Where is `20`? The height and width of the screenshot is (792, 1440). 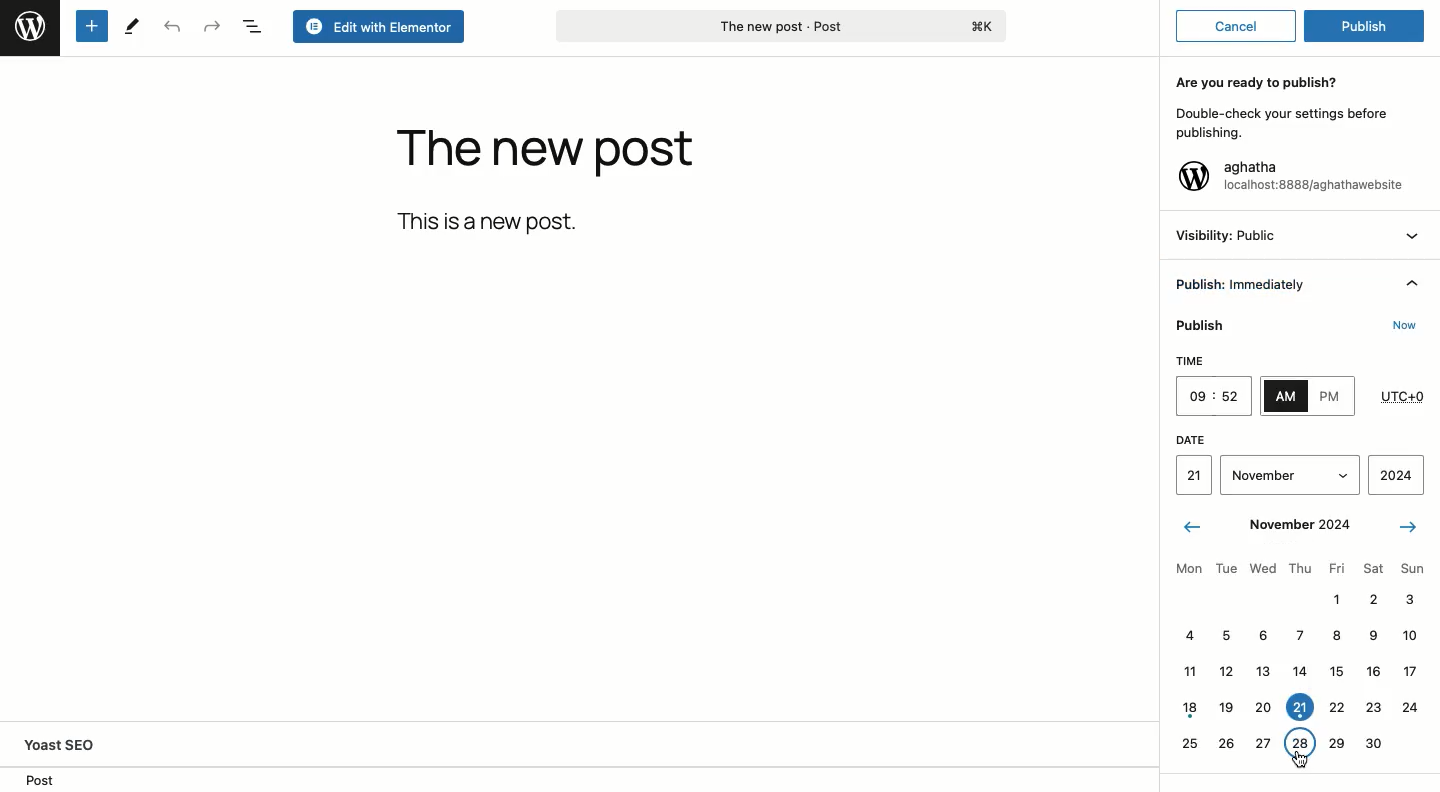
20 is located at coordinates (1261, 707).